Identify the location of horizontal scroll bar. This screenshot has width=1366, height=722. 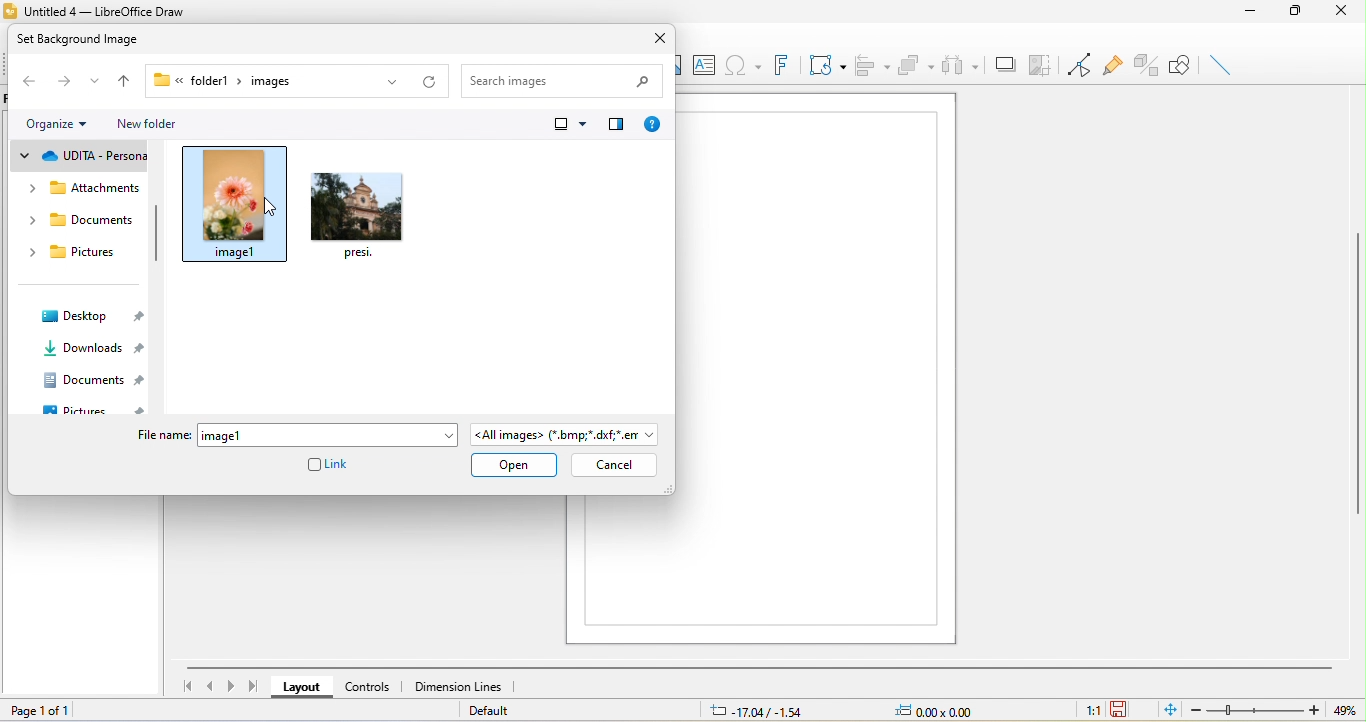
(753, 668).